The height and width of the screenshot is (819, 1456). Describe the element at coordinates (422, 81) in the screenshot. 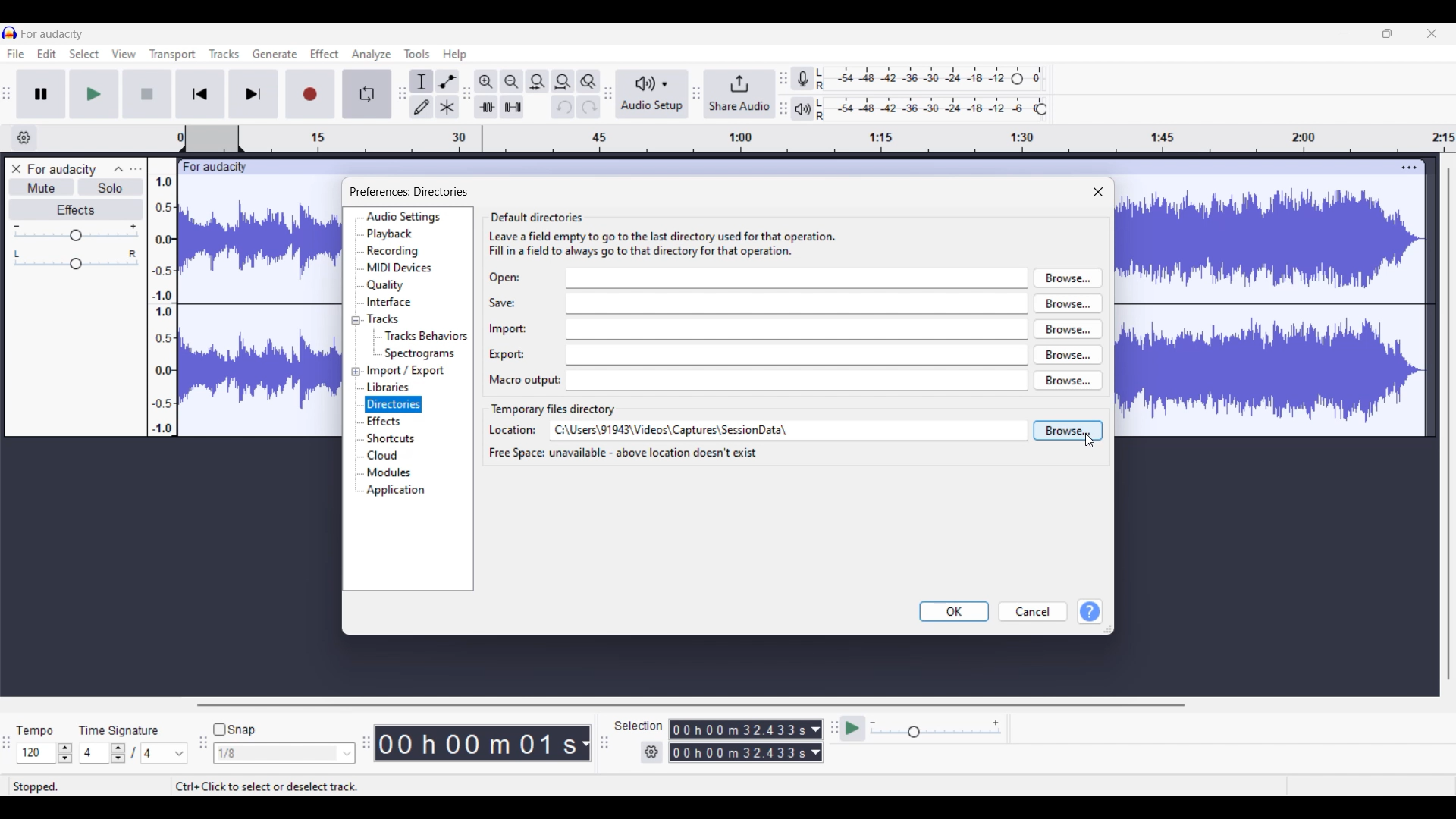

I see `Selection tool` at that location.